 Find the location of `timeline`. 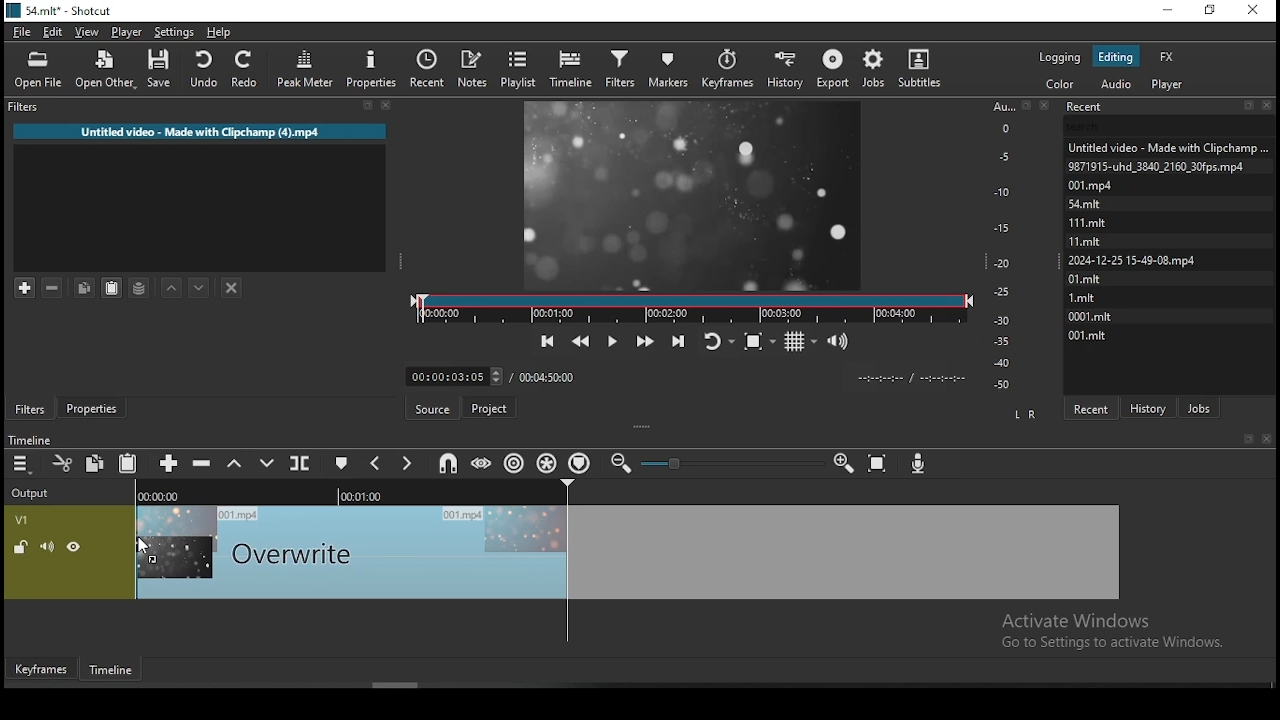

timeline is located at coordinates (107, 669).